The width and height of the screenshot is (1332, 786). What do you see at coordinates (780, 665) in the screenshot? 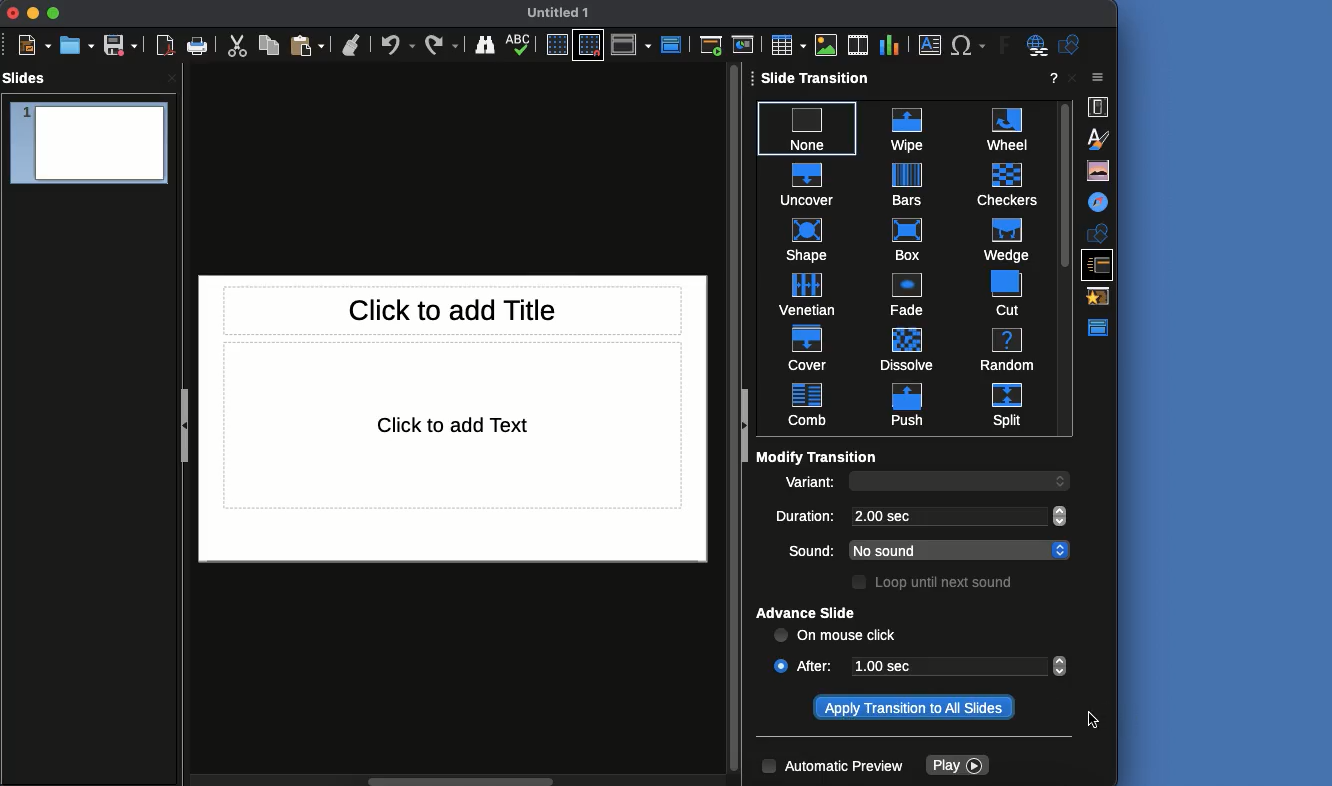
I see `Clicked` at bounding box center [780, 665].